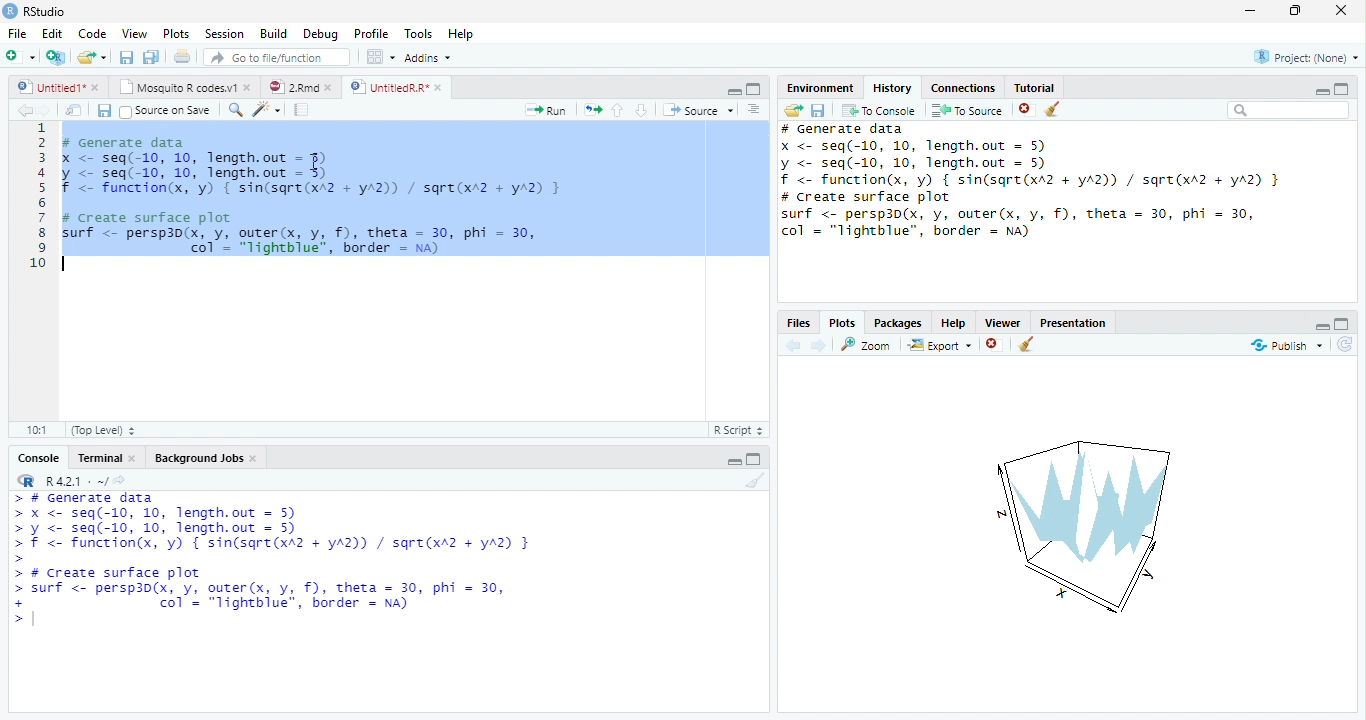 The image size is (1366, 720). Describe the element at coordinates (48, 86) in the screenshot. I see `Untitled1*` at that location.